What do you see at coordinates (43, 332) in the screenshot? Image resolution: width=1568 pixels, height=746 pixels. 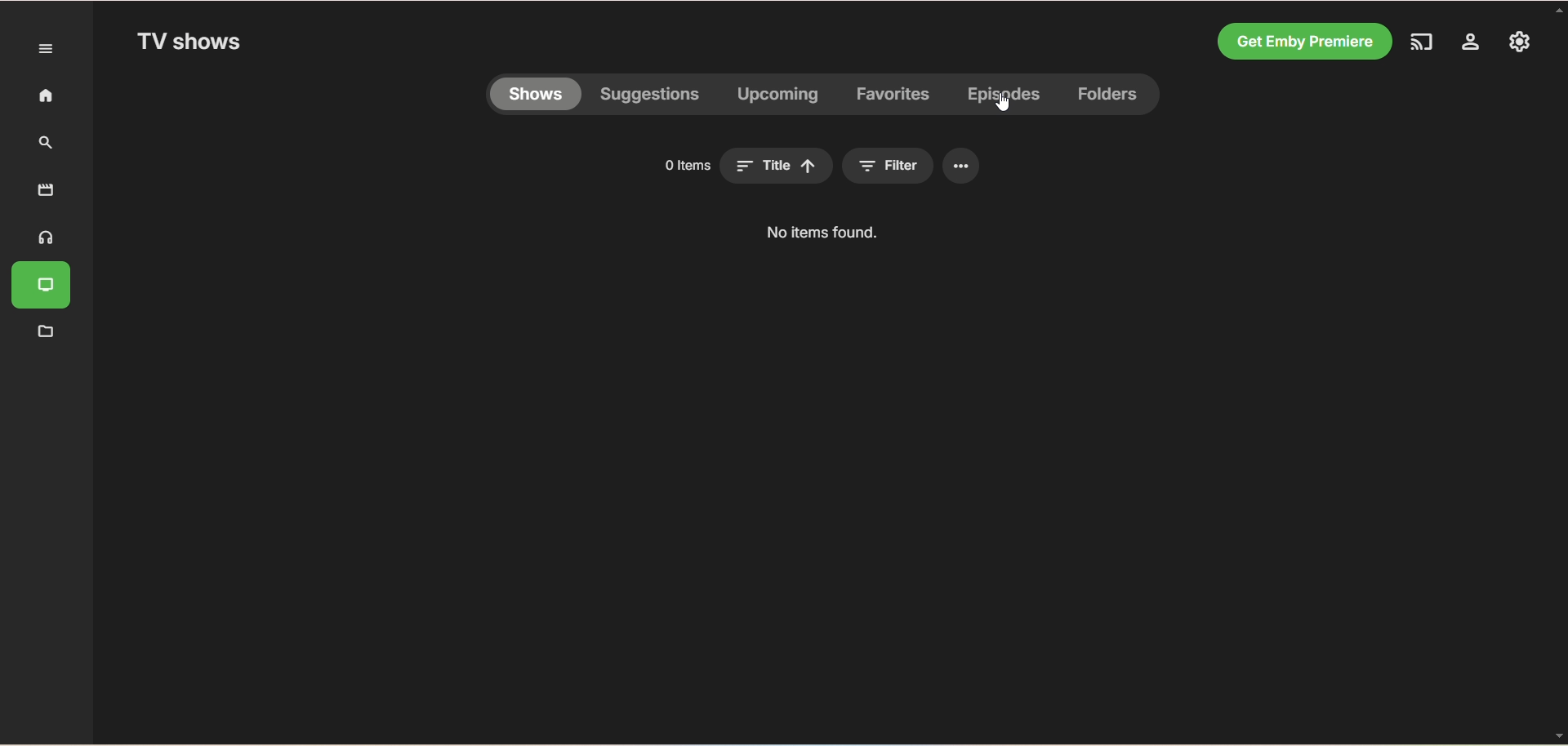 I see `metadata manager` at bounding box center [43, 332].